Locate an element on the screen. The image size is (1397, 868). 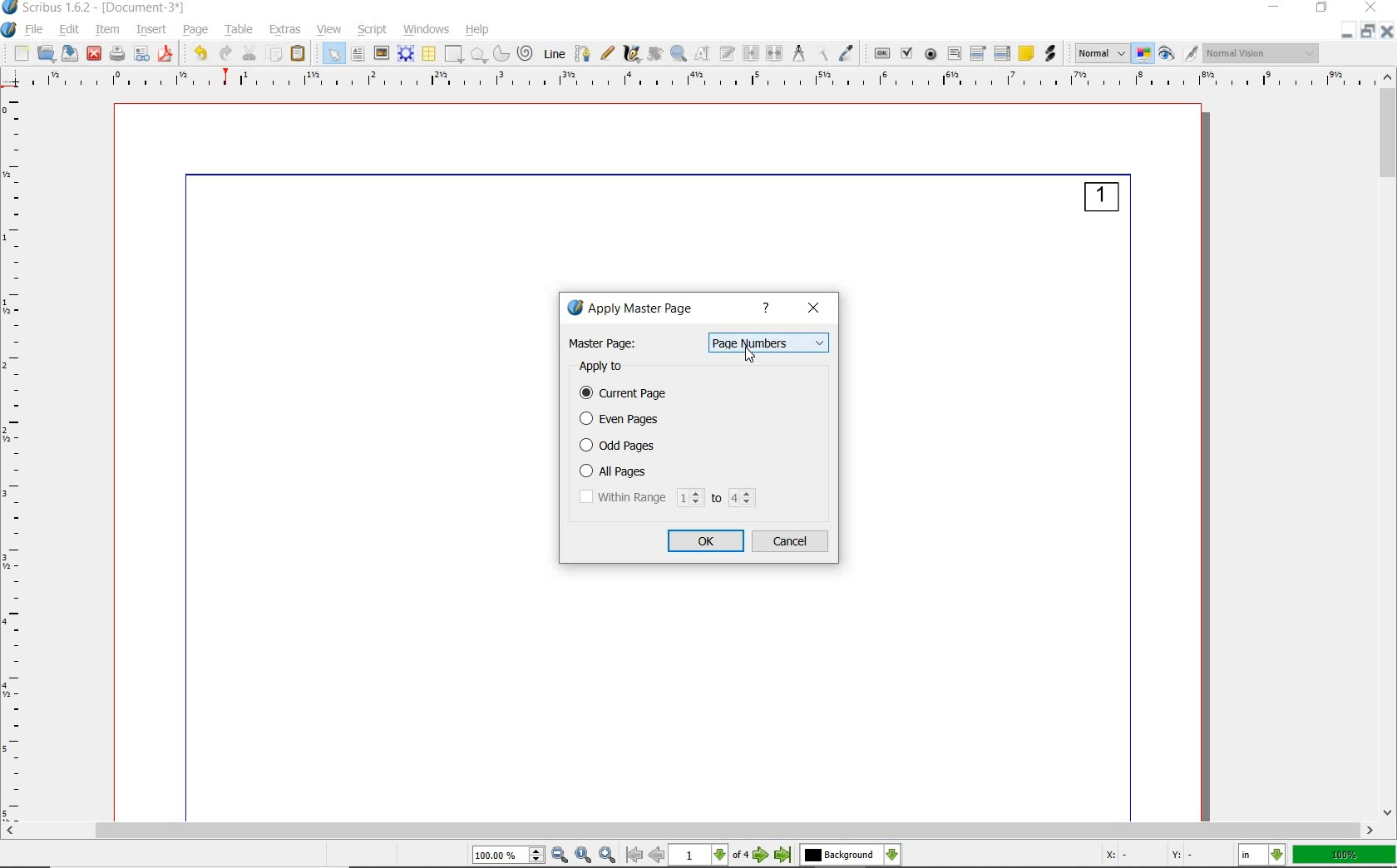
current page is located at coordinates (627, 394).